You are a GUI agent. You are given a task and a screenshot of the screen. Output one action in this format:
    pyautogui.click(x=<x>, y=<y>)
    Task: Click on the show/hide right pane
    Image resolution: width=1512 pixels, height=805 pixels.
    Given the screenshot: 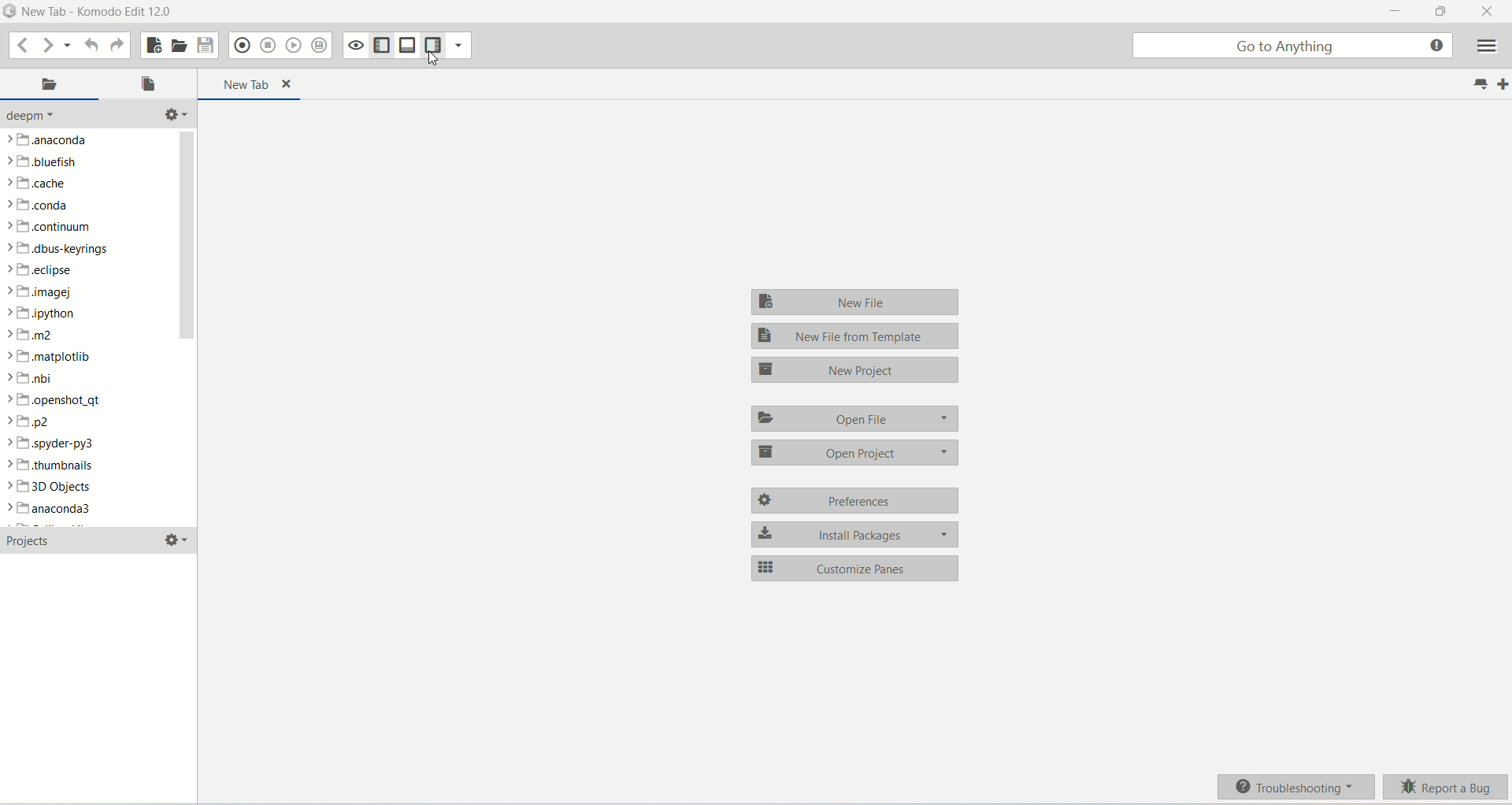 What is the action you would take?
    pyautogui.click(x=435, y=46)
    